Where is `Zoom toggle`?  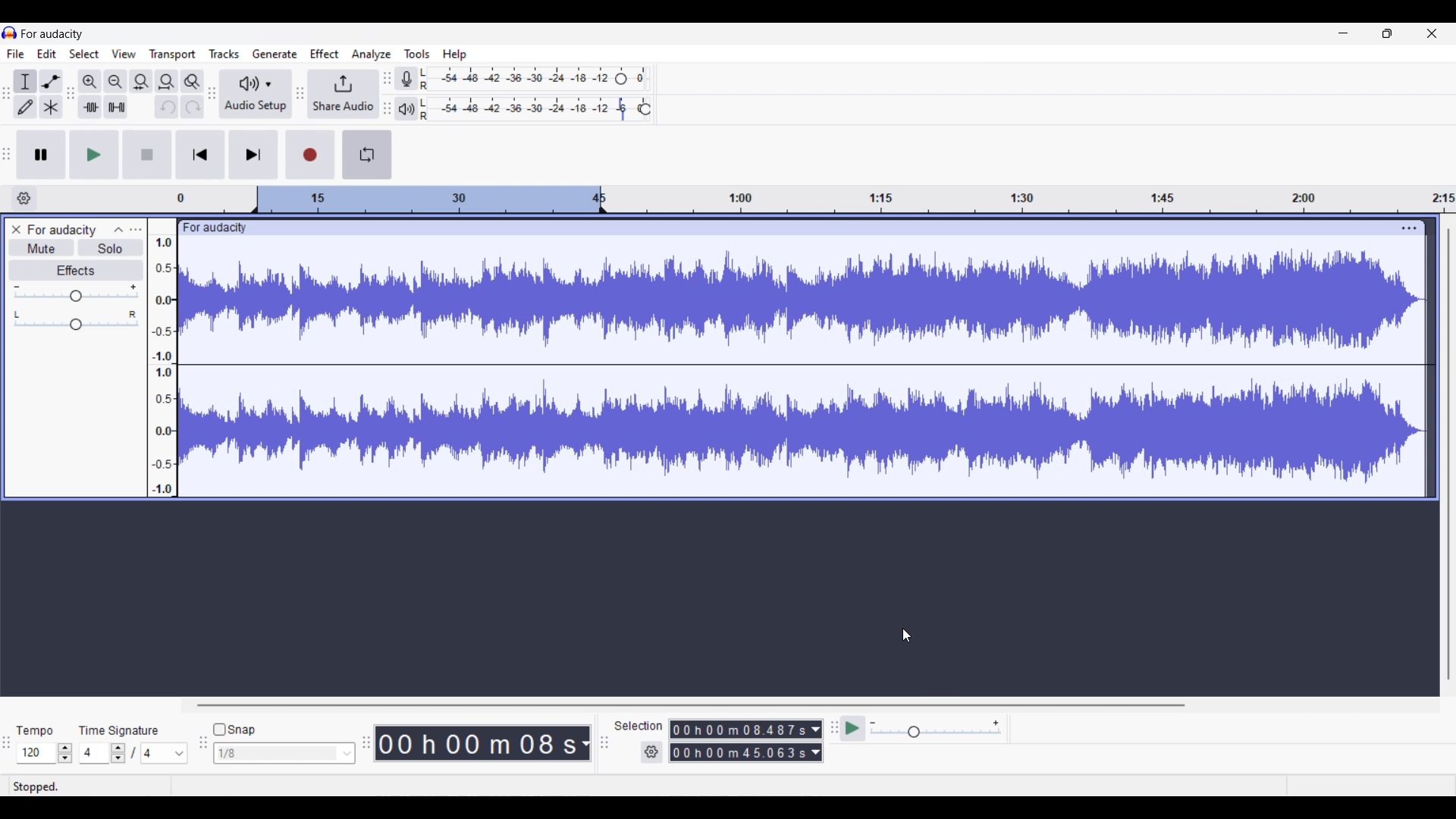 Zoom toggle is located at coordinates (192, 82).